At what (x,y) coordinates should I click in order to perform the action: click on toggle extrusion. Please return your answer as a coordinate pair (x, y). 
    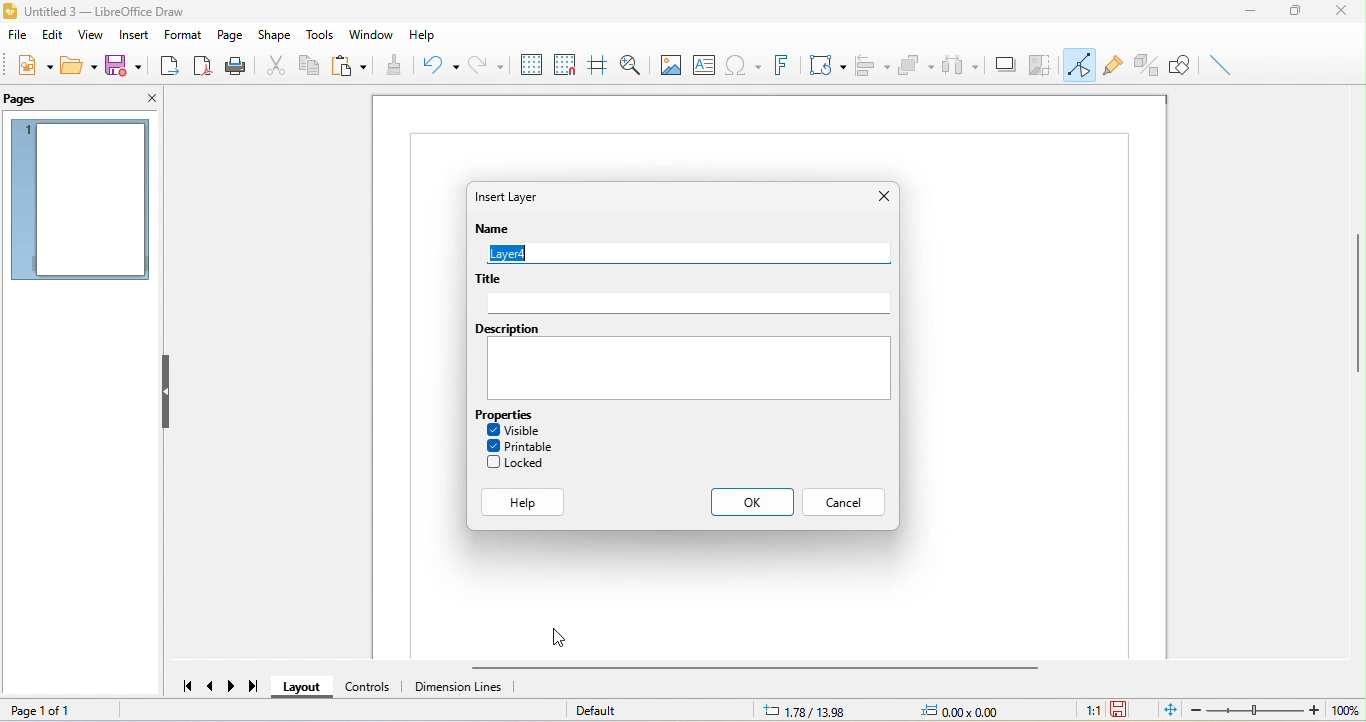
    Looking at the image, I should click on (1146, 65).